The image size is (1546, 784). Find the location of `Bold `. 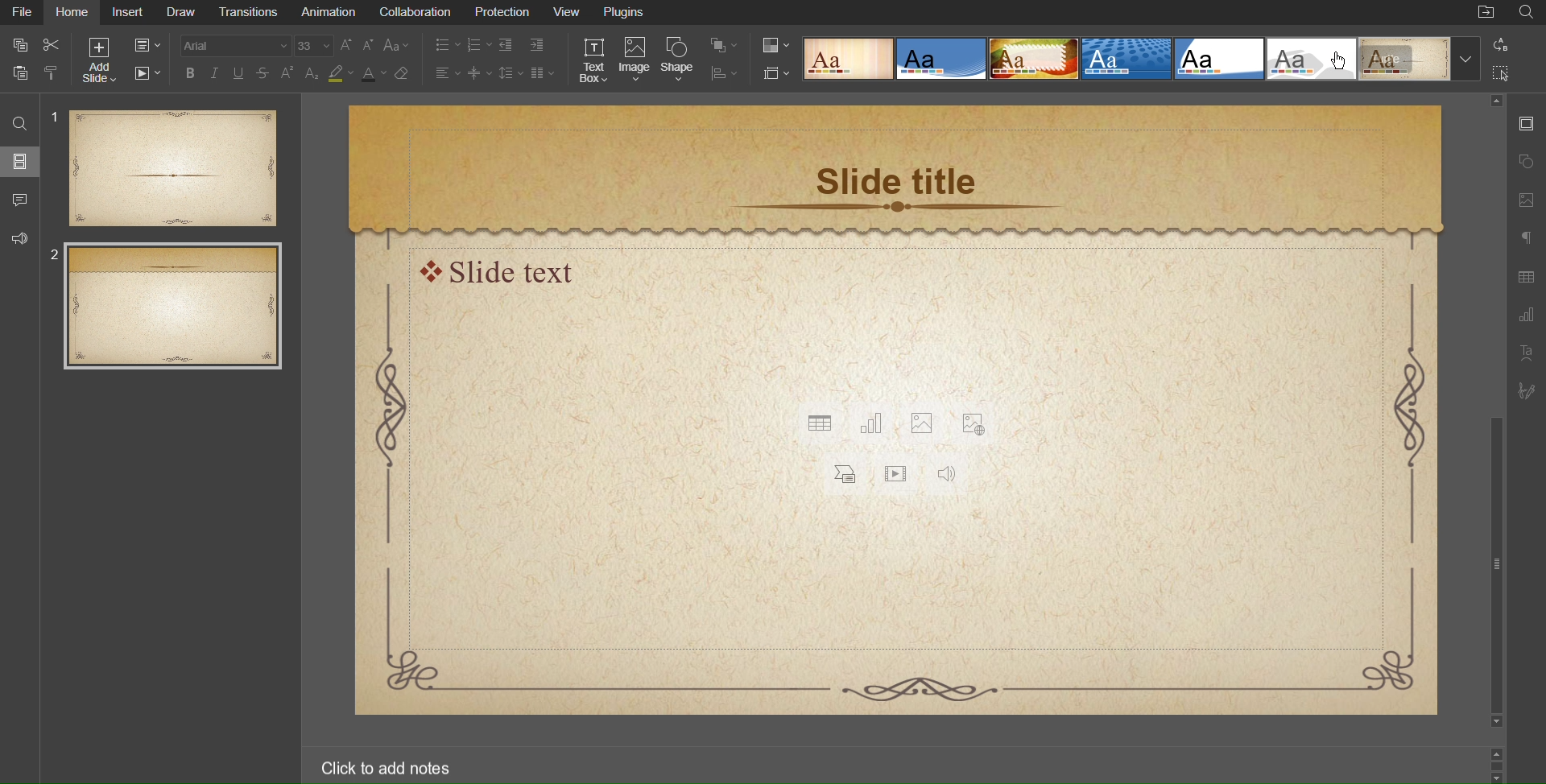

Bold  is located at coordinates (191, 73).